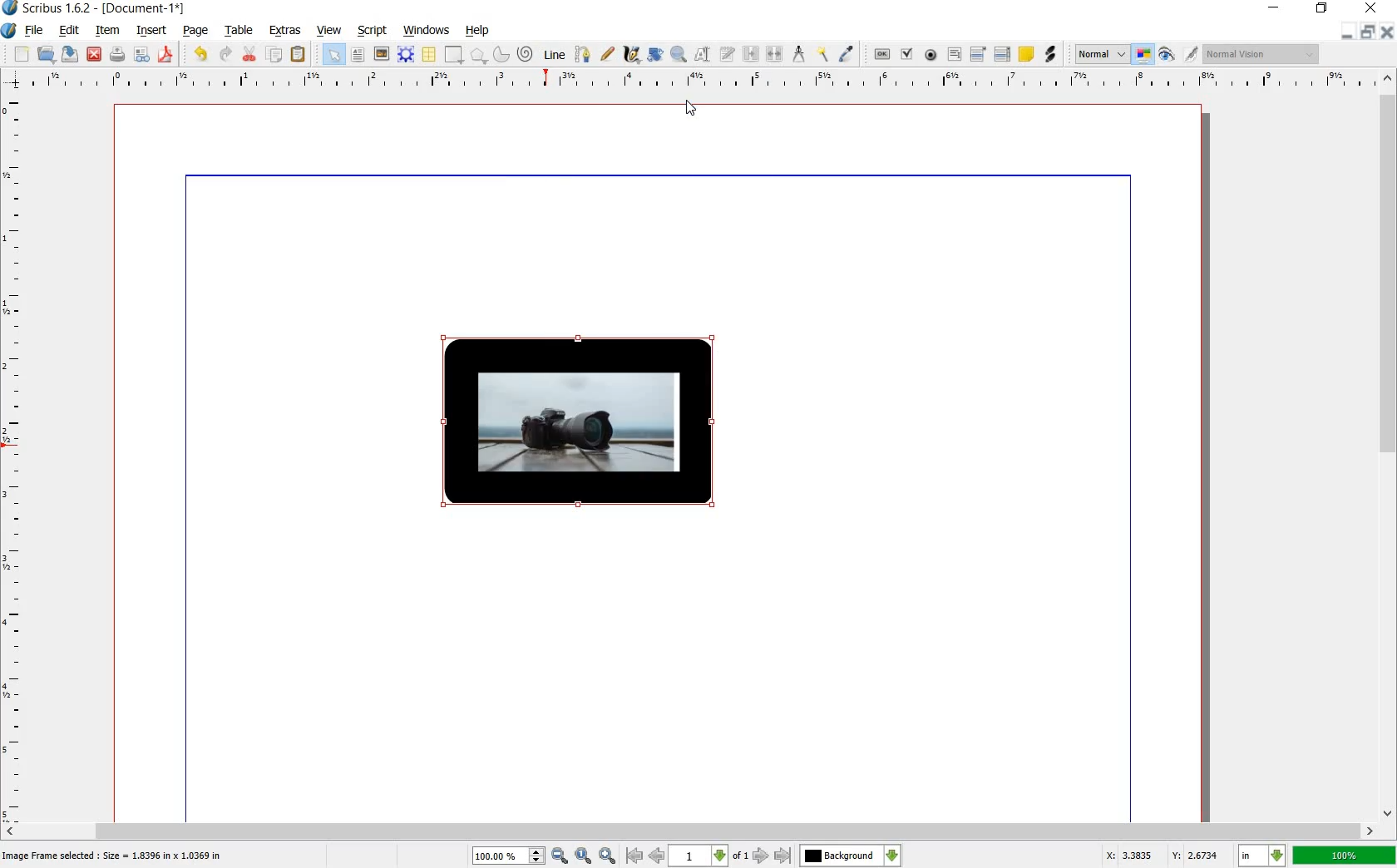 This screenshot has width=1397, height=868. What do you see at coordinates (822, 53) in the screenshot?
I see `copy item properties` at bounding box center [822, 53].